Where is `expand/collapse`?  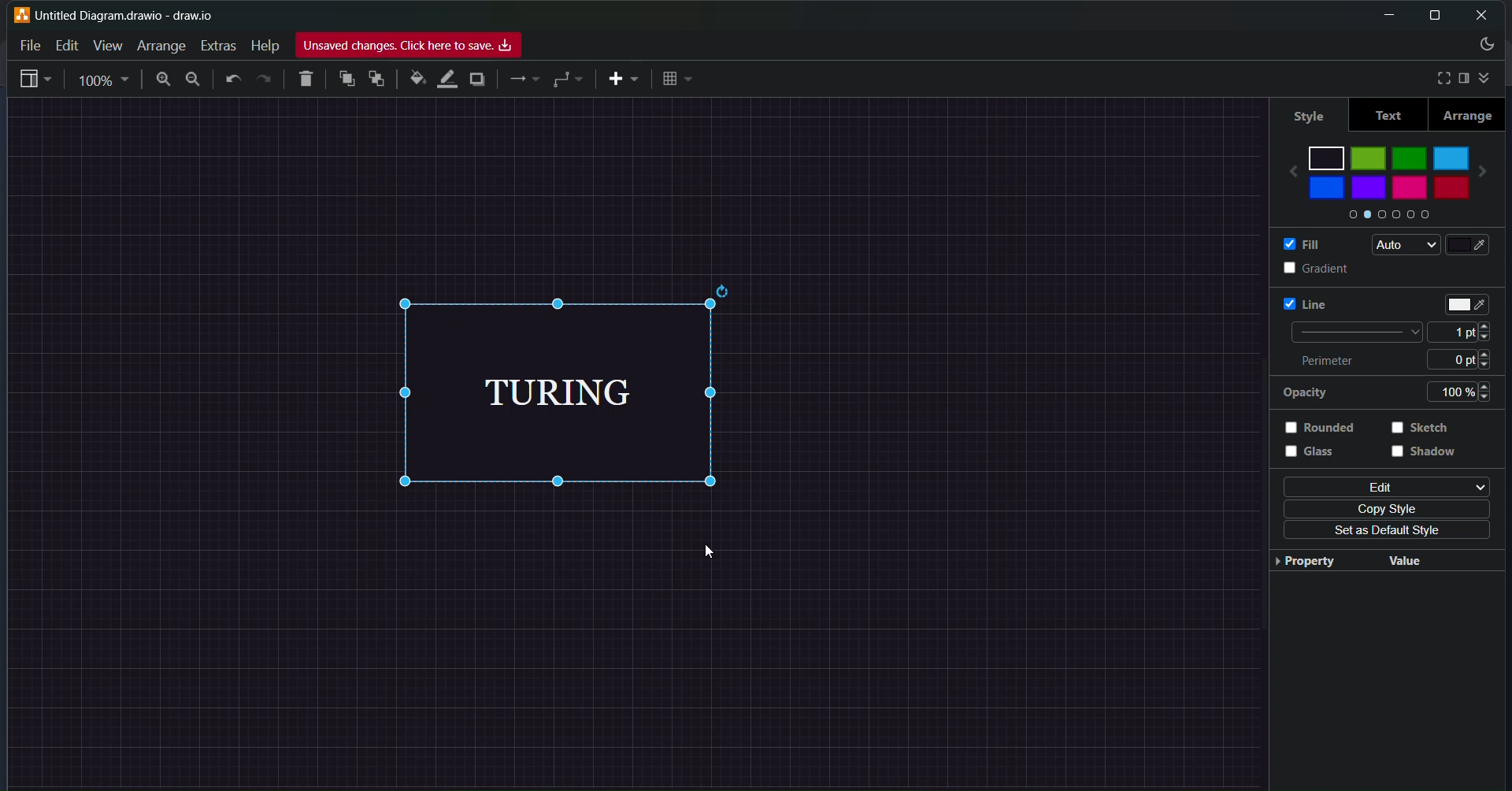 expand/collapse is located at coordinates (1488, 76).